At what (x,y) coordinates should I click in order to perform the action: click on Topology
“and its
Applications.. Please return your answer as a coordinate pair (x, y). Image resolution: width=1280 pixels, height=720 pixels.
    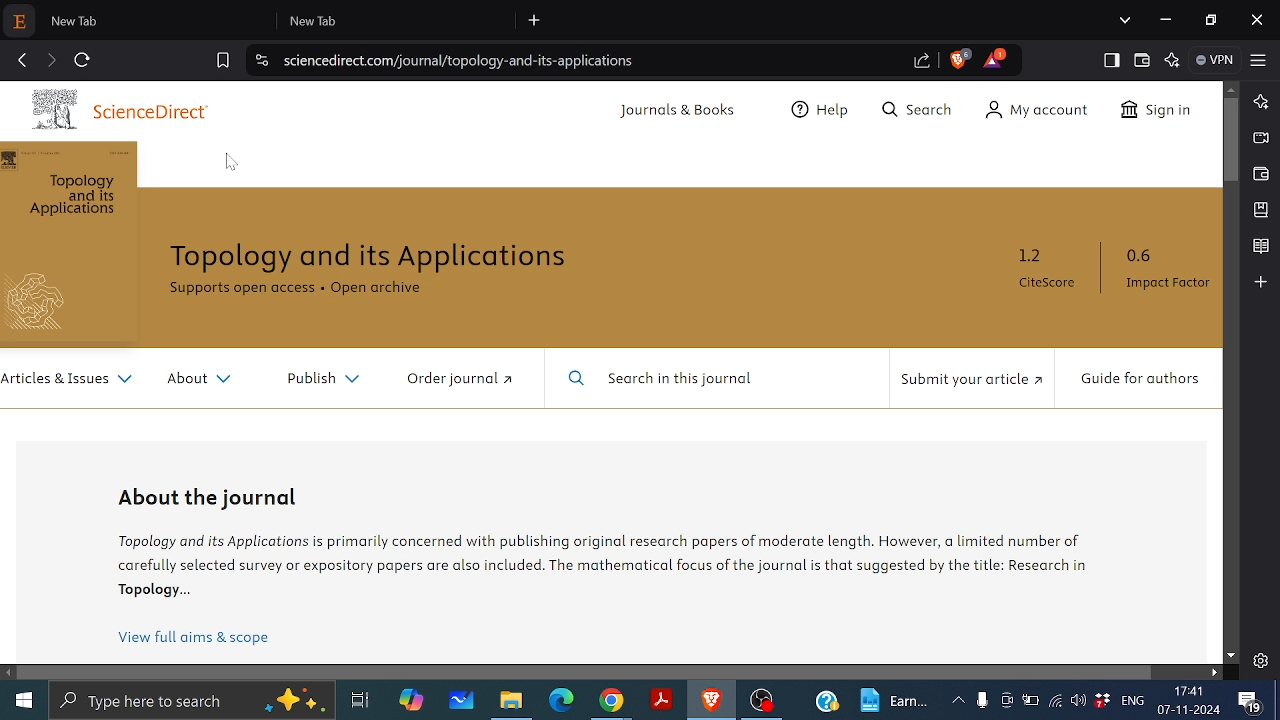
    Looking at the image, I should click on (77, 197).